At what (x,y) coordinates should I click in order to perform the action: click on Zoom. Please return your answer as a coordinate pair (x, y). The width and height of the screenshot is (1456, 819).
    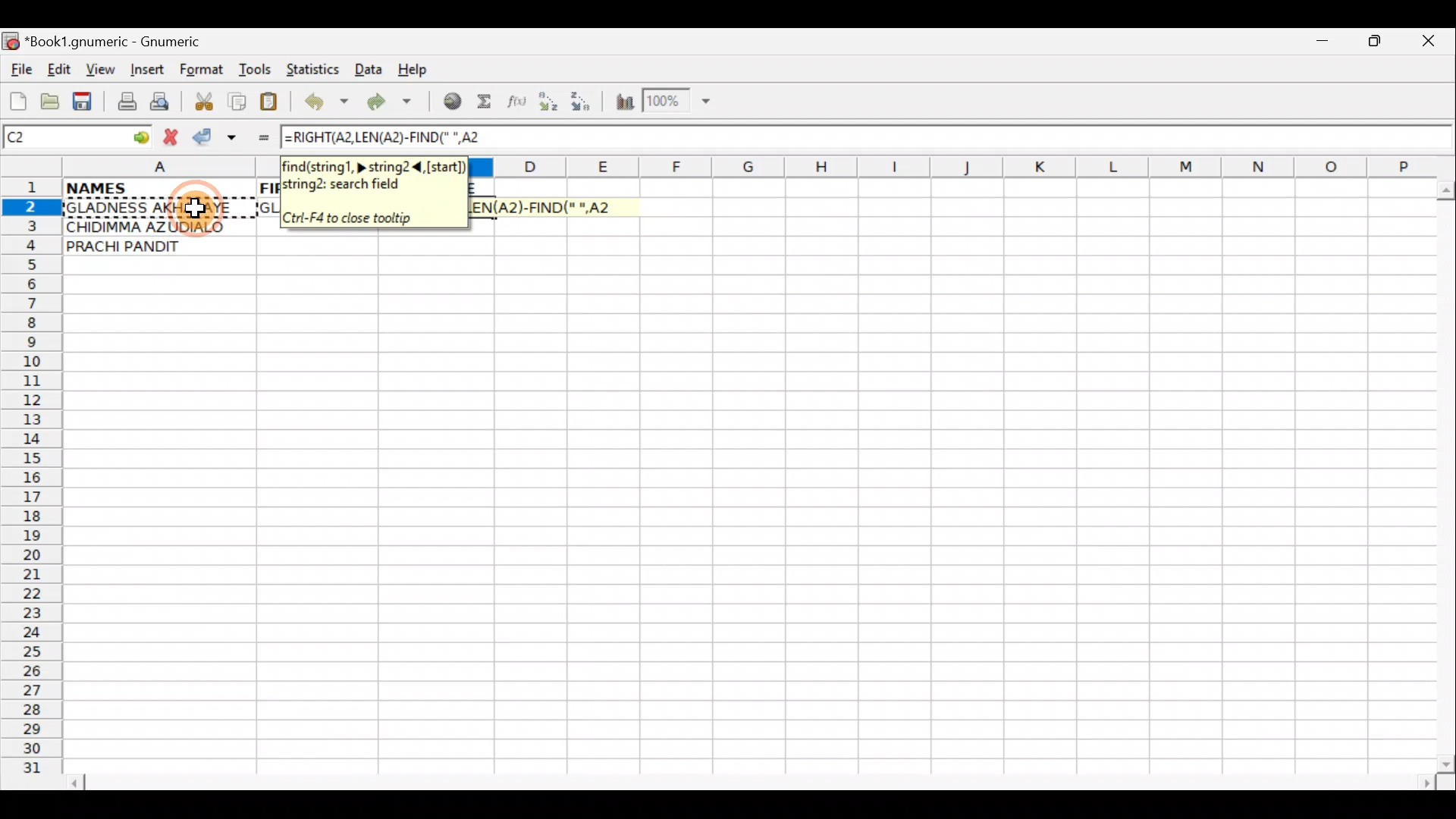
    Looking at the image, I should click on (679, 103).